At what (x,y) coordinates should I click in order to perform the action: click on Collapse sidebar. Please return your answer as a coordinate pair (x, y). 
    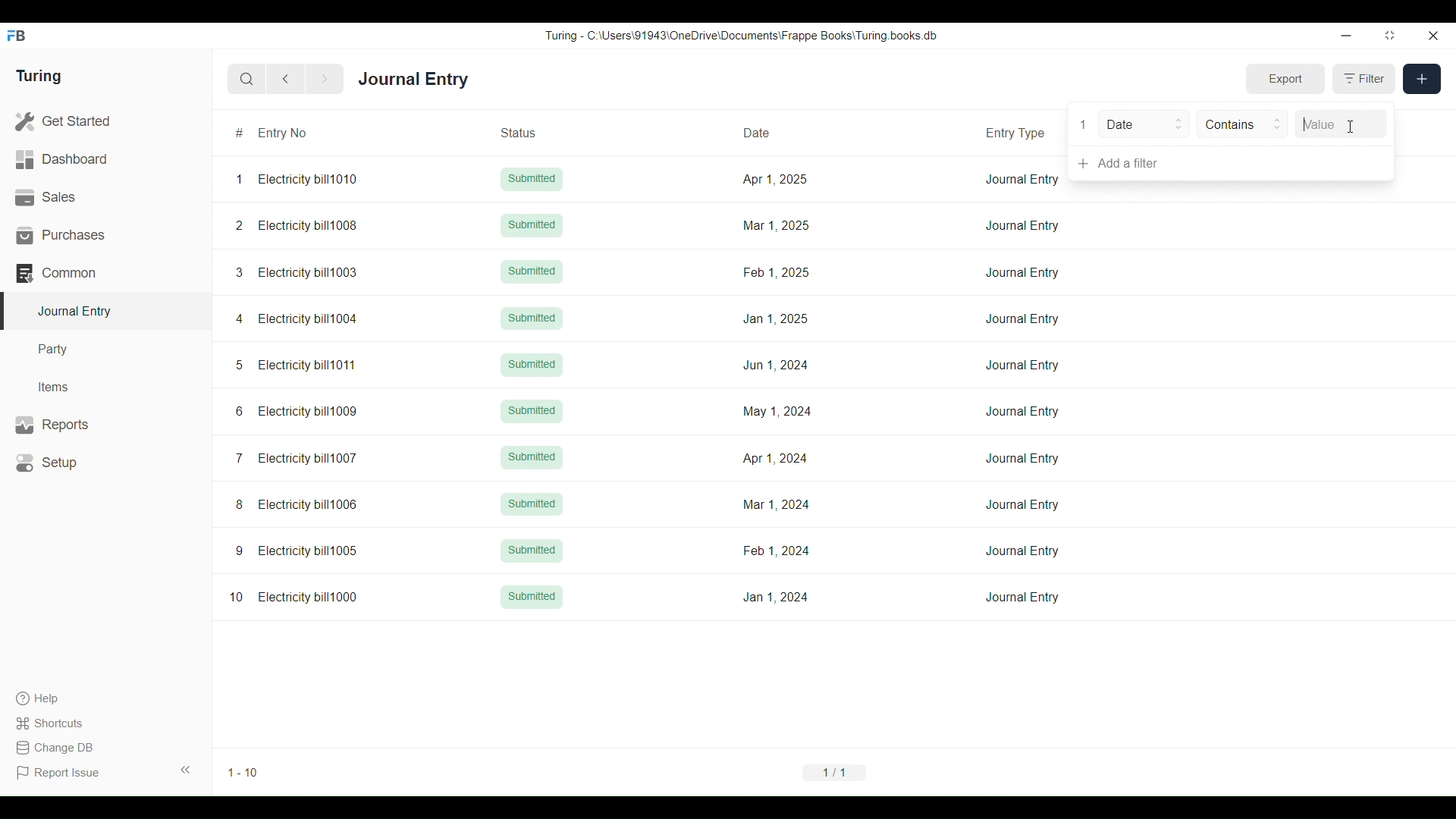
    Looking at the image, I should click on (186, 770).